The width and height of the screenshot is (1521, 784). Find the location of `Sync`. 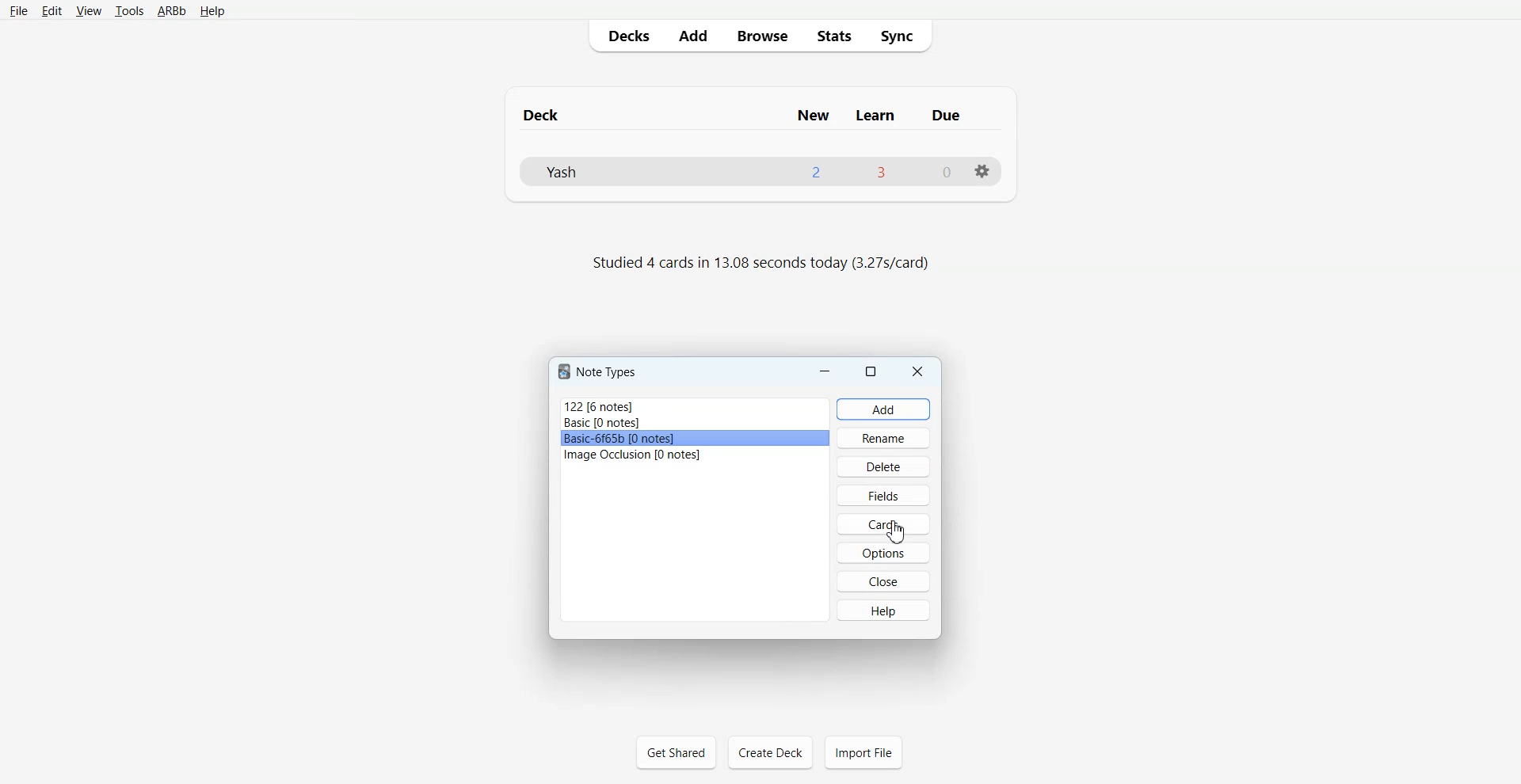

Sync is located at coordinates (902, 36).